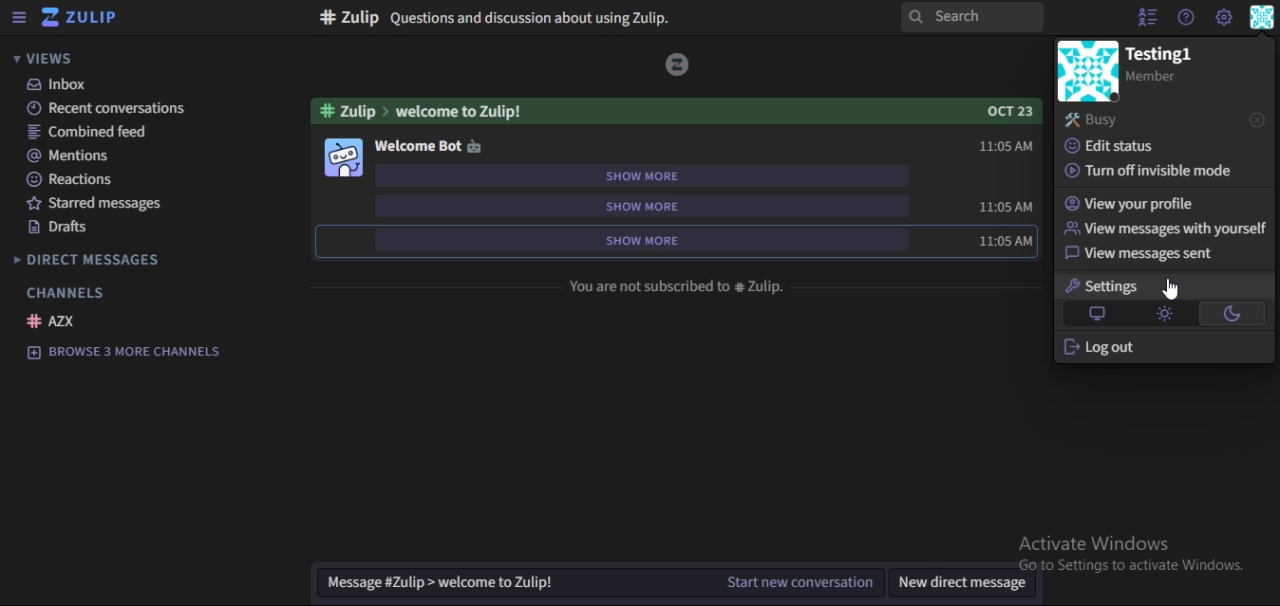 The height and width of the screenshot is (606, 1280). I want to click on combined feed, so click(89, 131).